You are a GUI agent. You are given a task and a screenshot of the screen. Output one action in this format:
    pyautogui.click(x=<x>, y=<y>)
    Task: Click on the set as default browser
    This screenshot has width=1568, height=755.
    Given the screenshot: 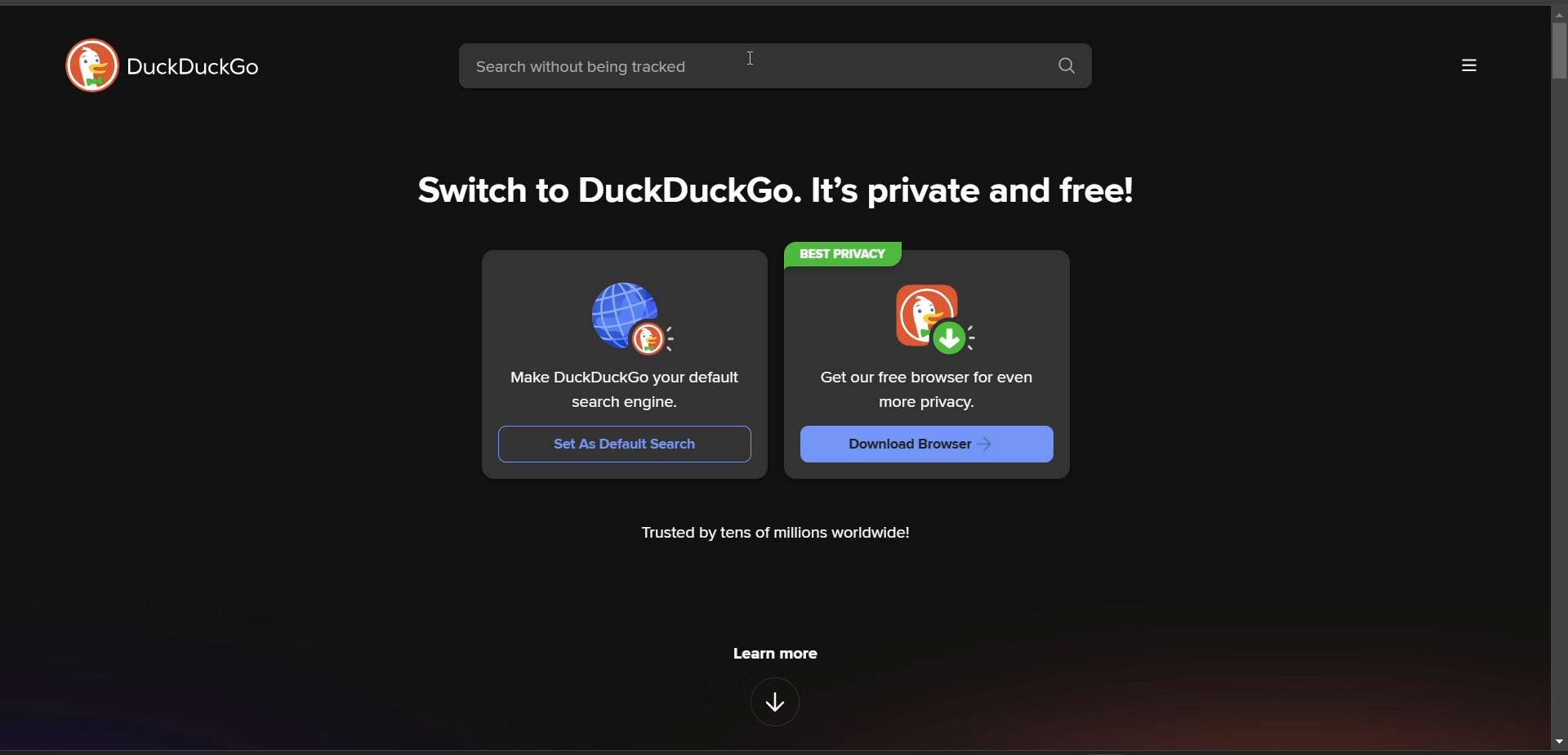 What is the action you would take?
    pyautogui.click(x=627, y=313)
    